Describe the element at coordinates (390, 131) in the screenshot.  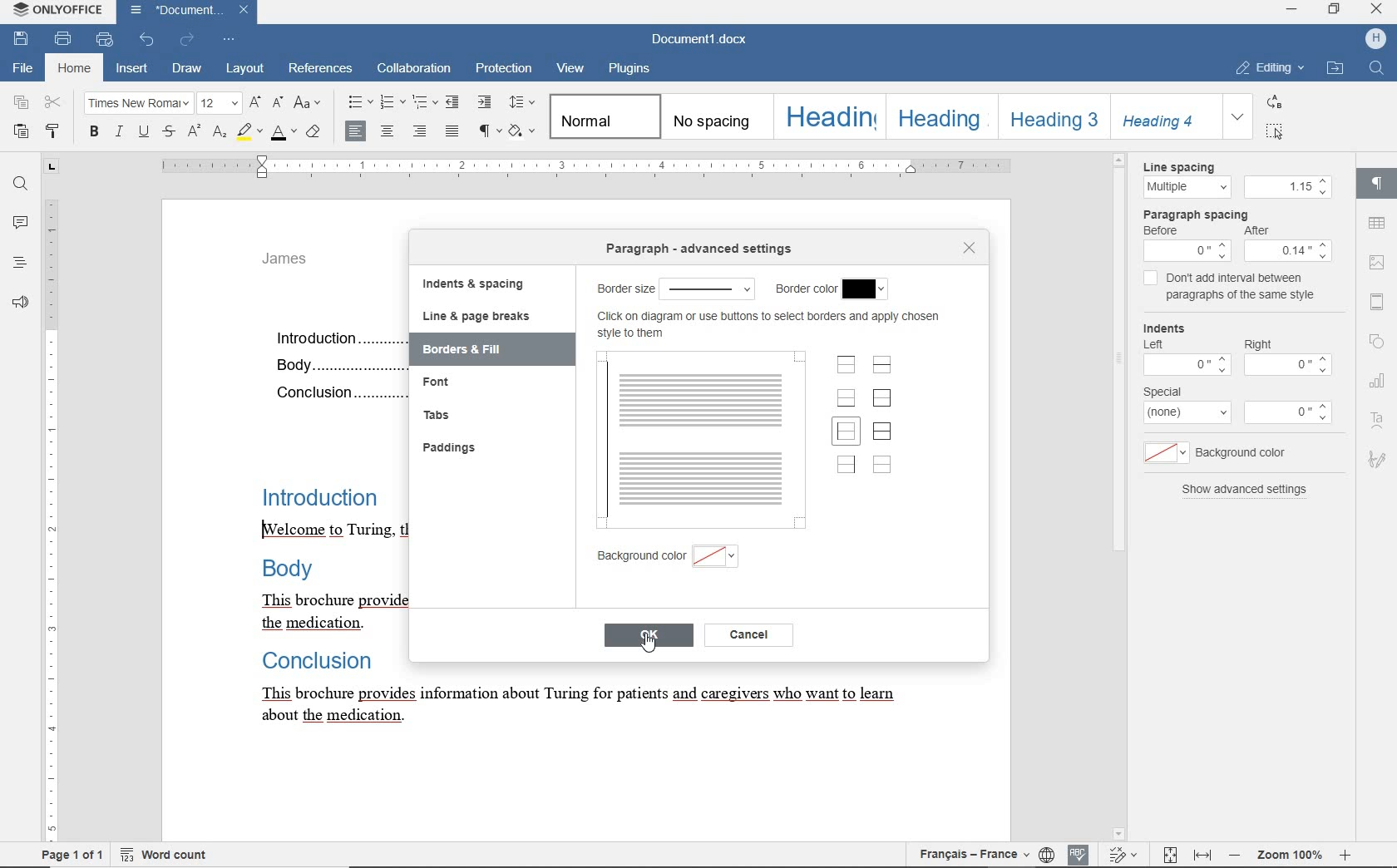
I see `align center` at that location.